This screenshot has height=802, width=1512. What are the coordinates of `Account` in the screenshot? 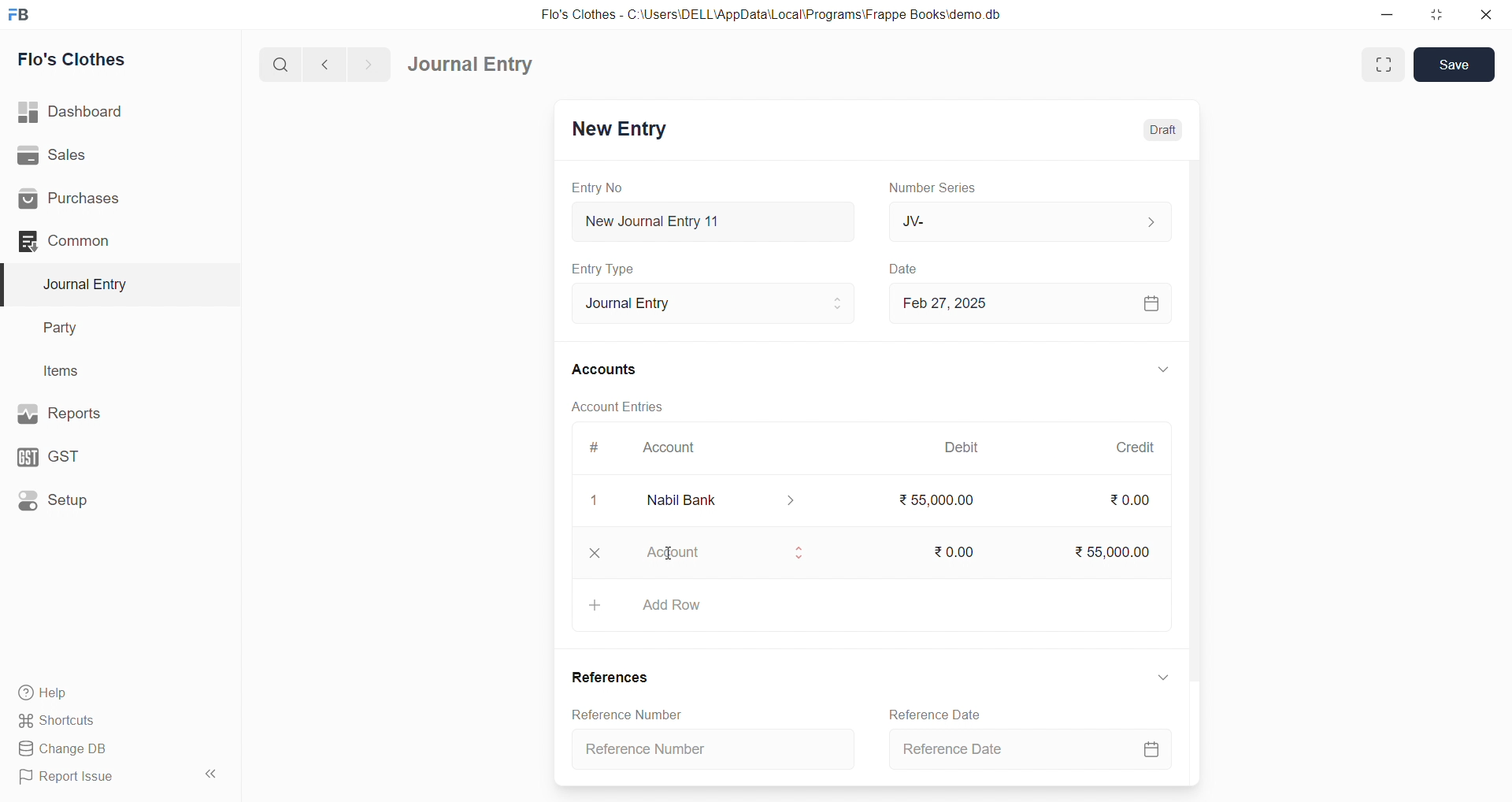 It's located at (676, 446).